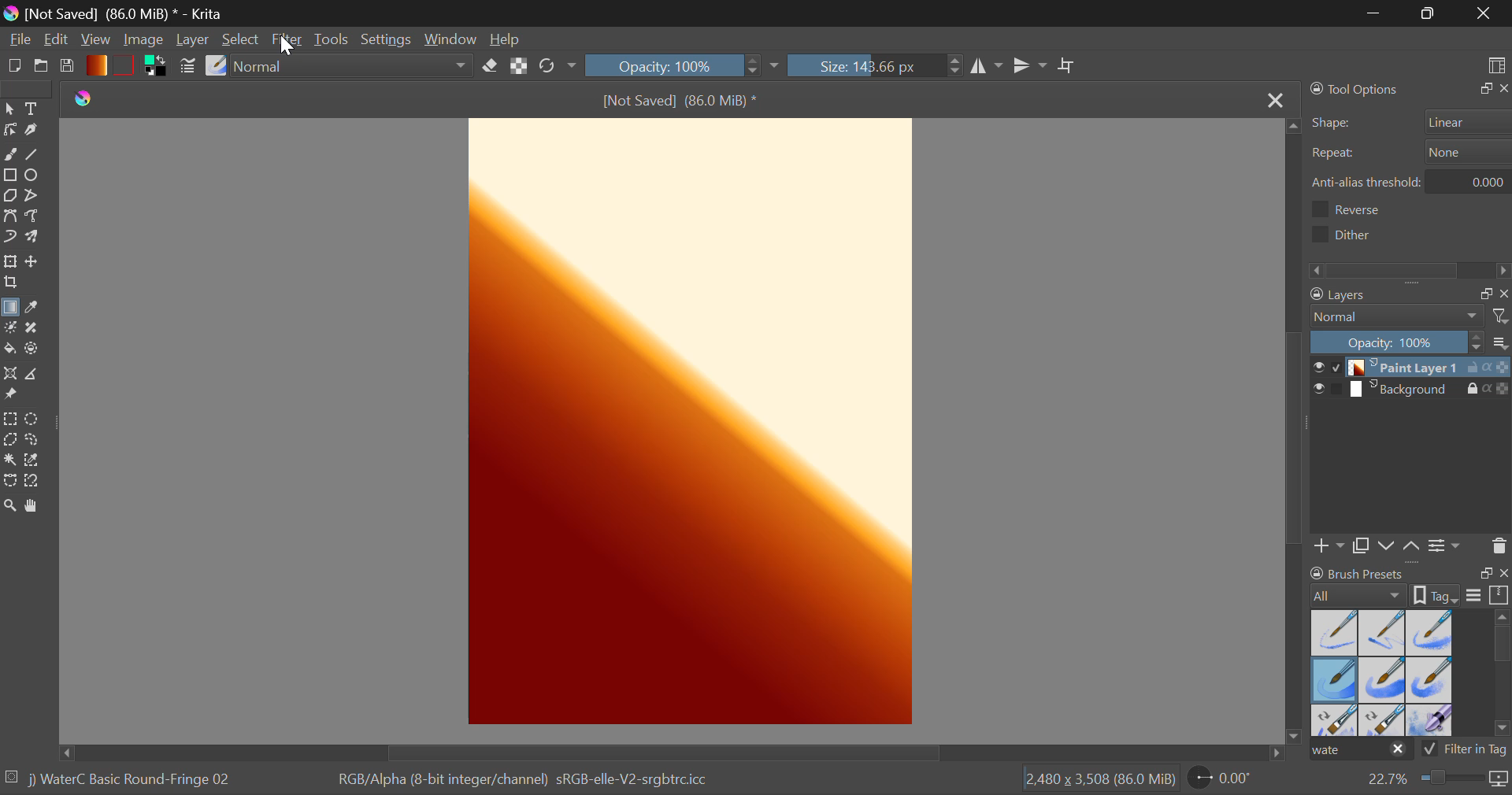 The image size is (1512, 795). What do you see at coordinates (1407, 368) in the screenshot?
I see `paint layer 1` at bounding box center [1407, 368].